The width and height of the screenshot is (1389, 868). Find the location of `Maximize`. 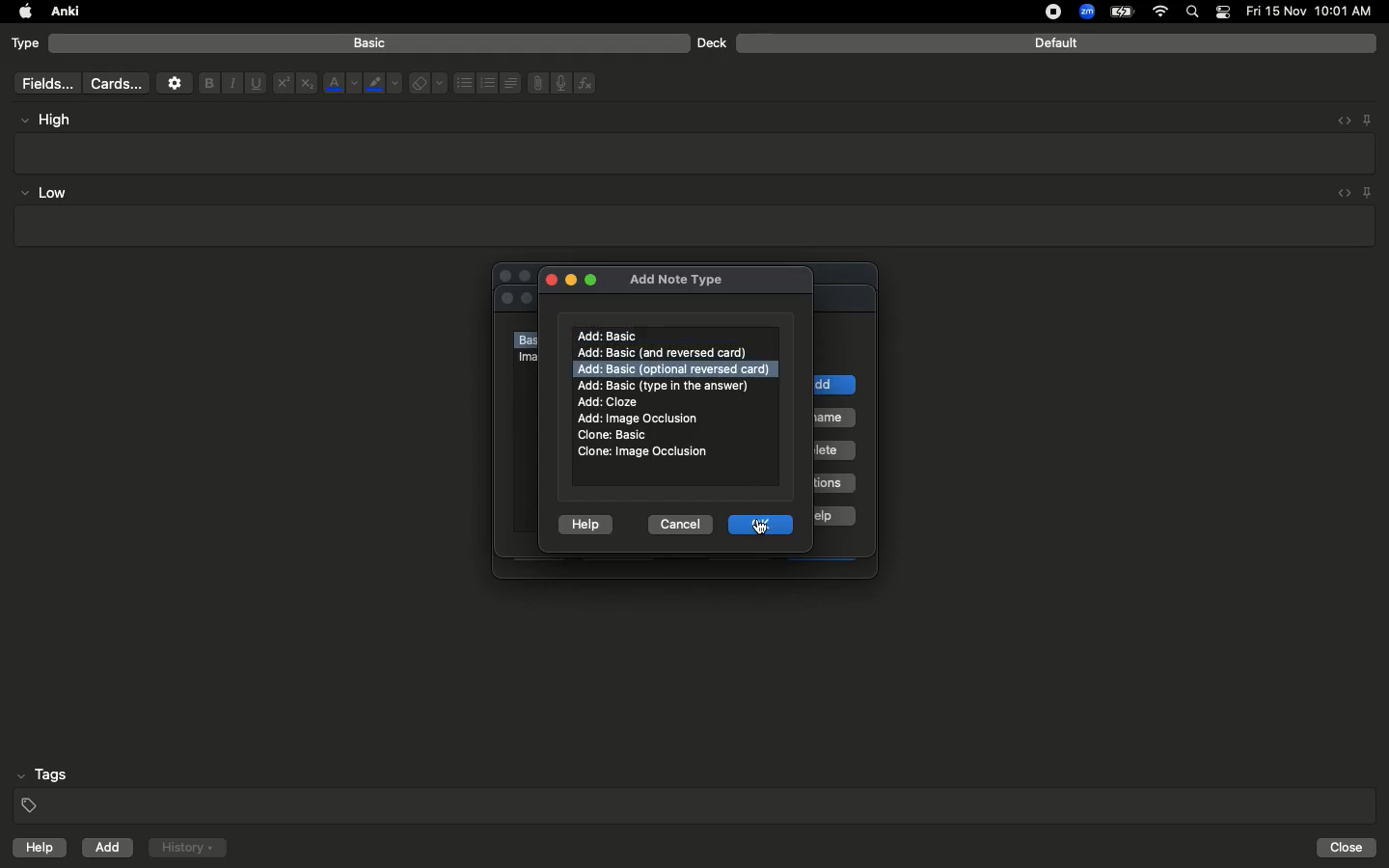

Maximize is located at coordinates (592, 282).